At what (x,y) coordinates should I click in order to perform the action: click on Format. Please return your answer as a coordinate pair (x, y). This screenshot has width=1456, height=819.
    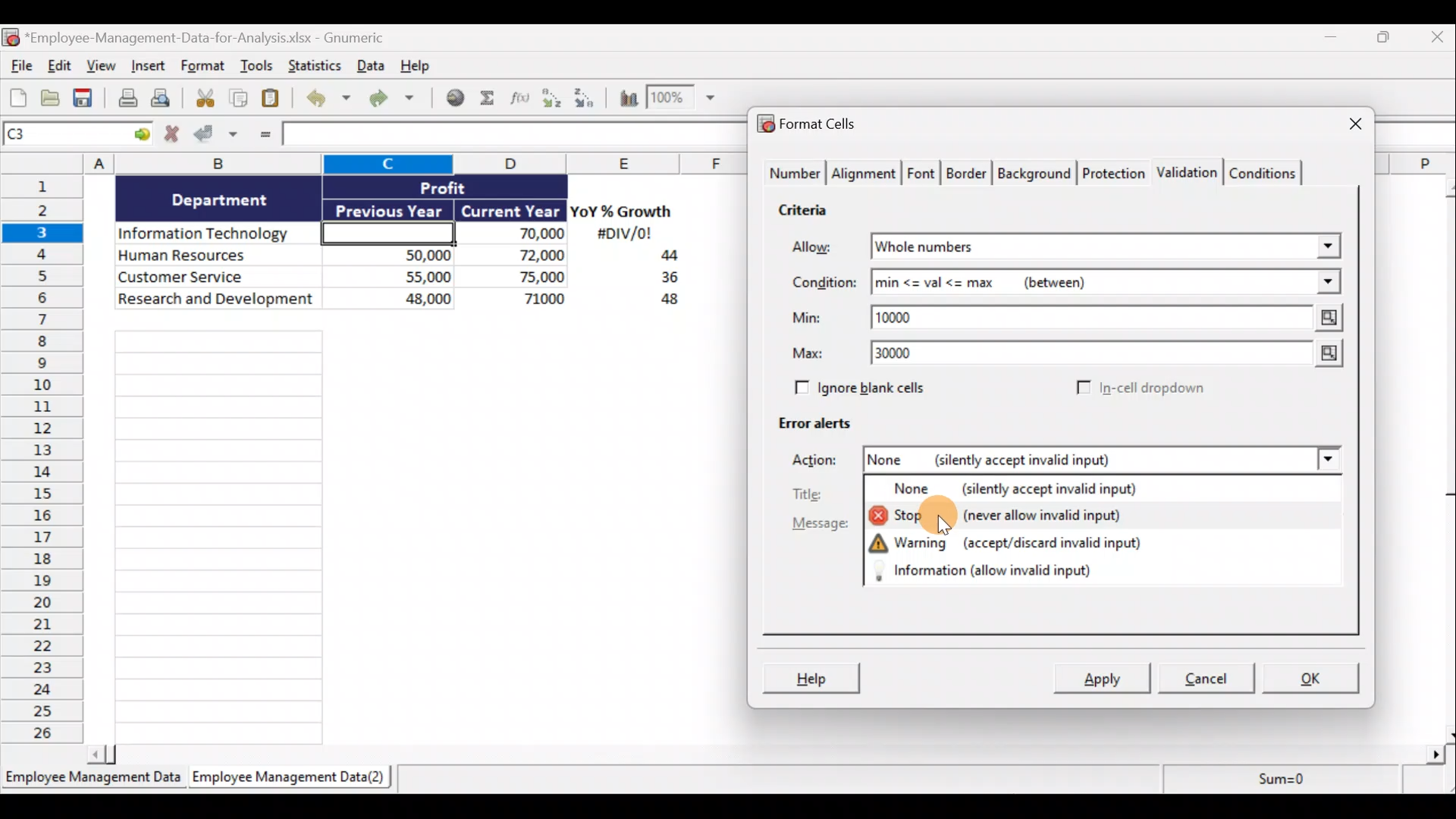
    Looking at the image, I should click on (203, 68).